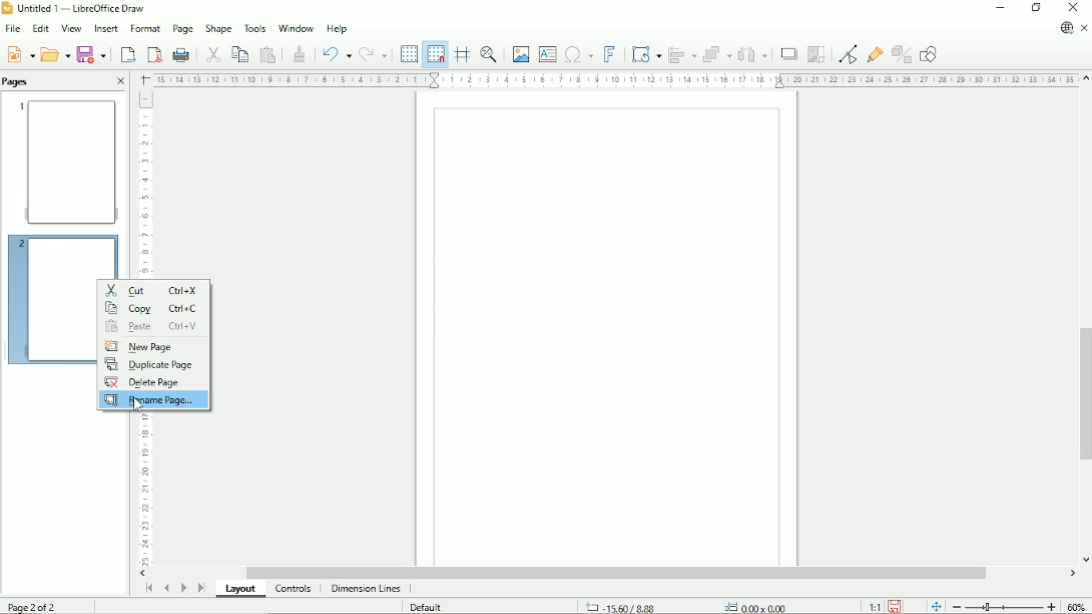  Describe the element at coordinates (935, 605) in the screenshot. I see `Fit page to current window` at that location.